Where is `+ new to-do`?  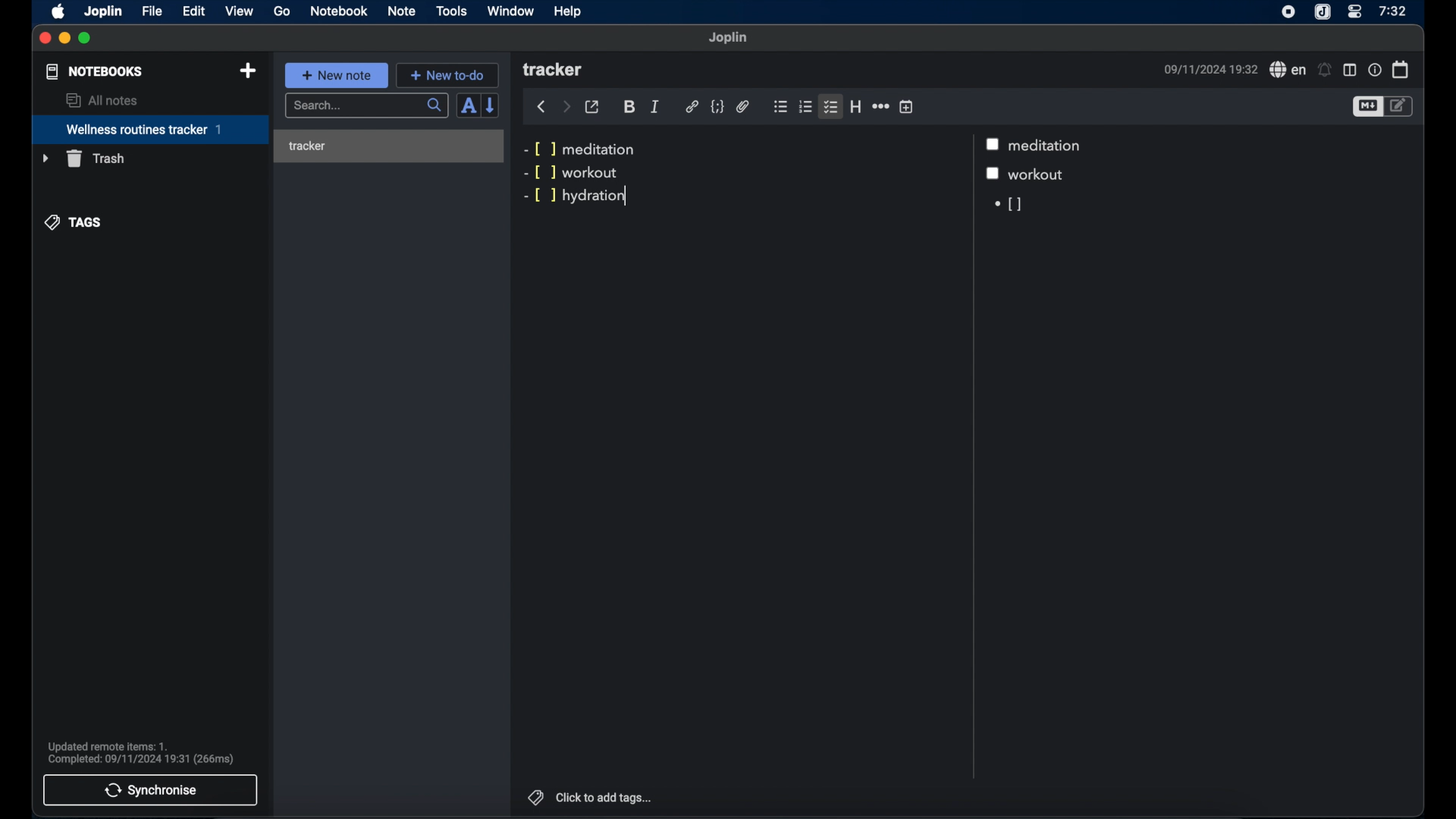 + new to-do is located at coordinates (447, 74).